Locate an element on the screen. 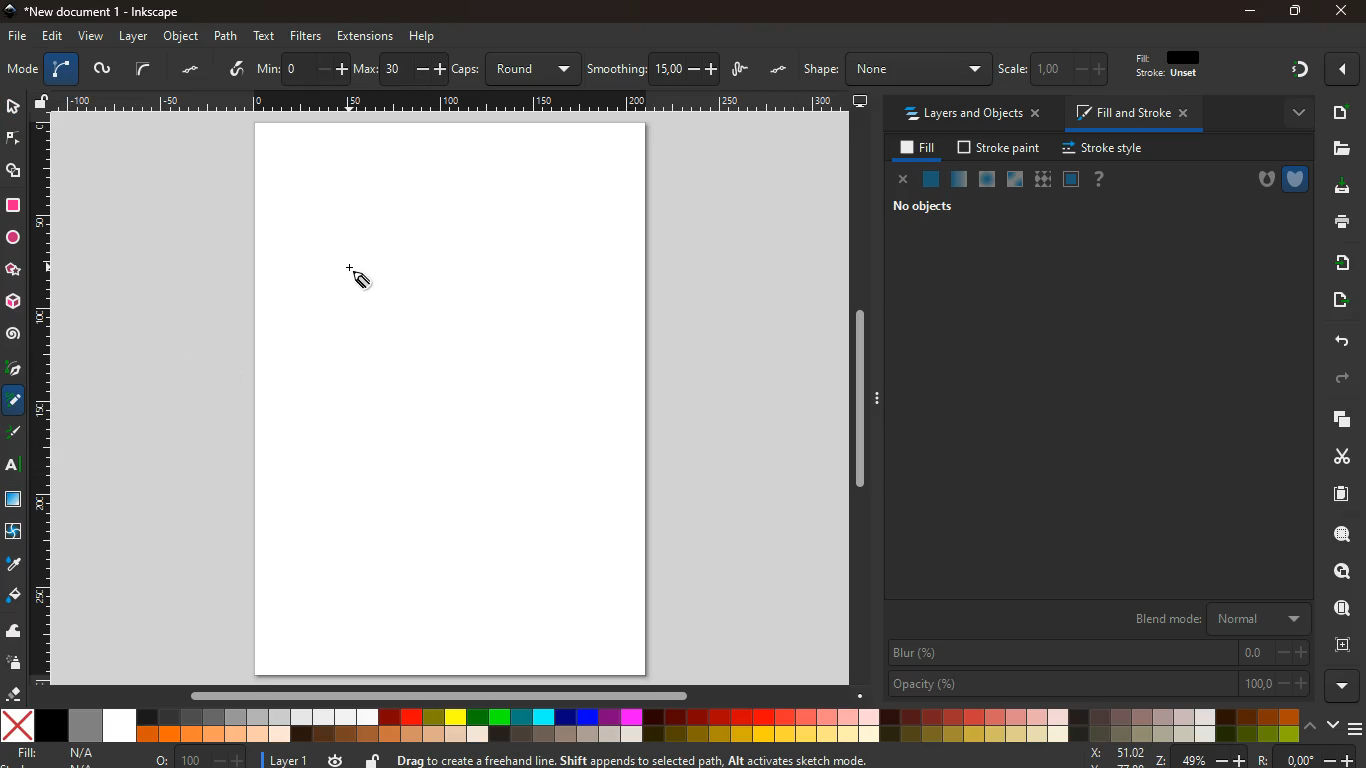 This screenshot has width=1366, height=768. forward is located at coordinates (1343, 381).